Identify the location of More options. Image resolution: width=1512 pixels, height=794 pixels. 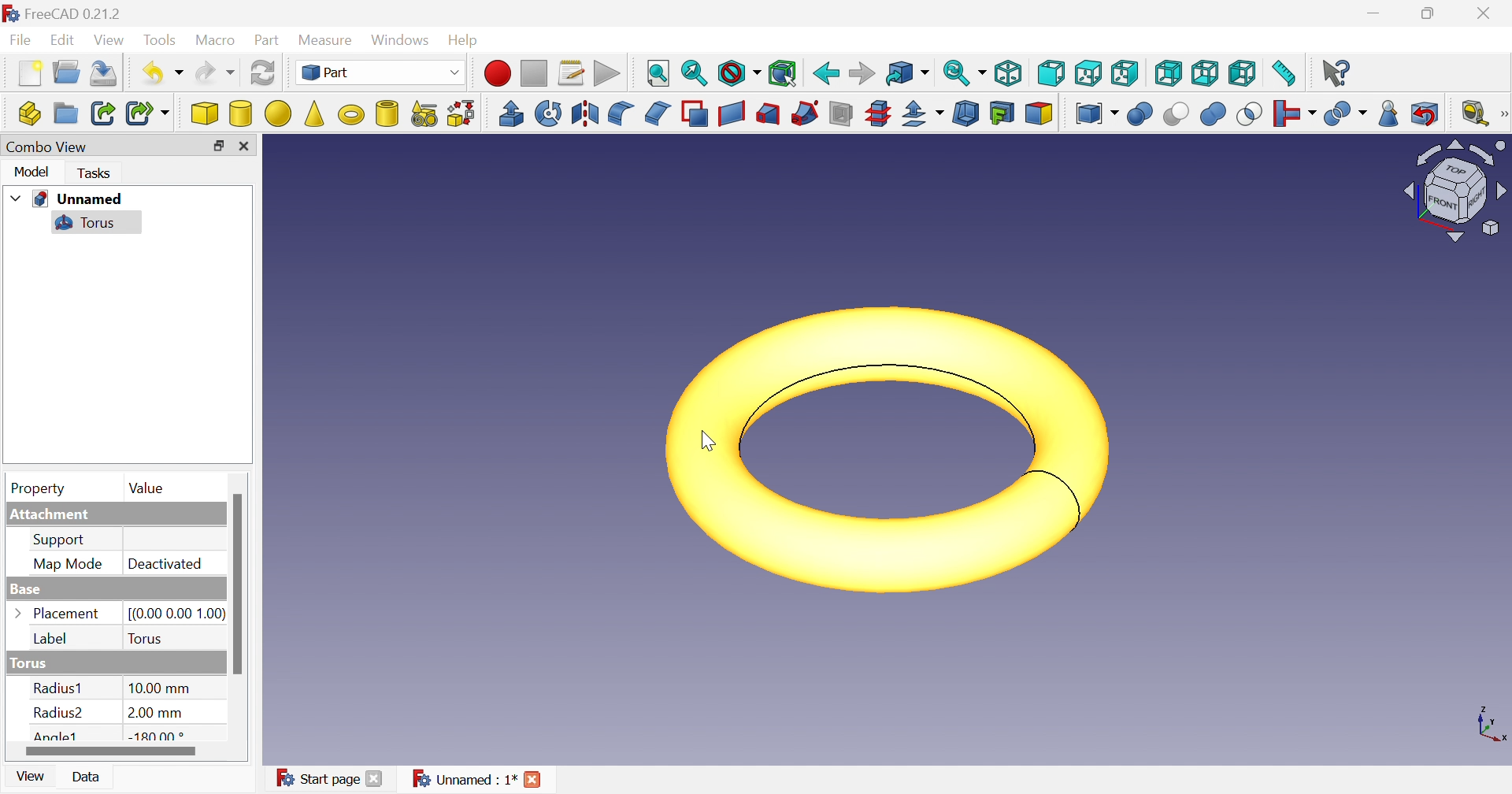
(21, 614).